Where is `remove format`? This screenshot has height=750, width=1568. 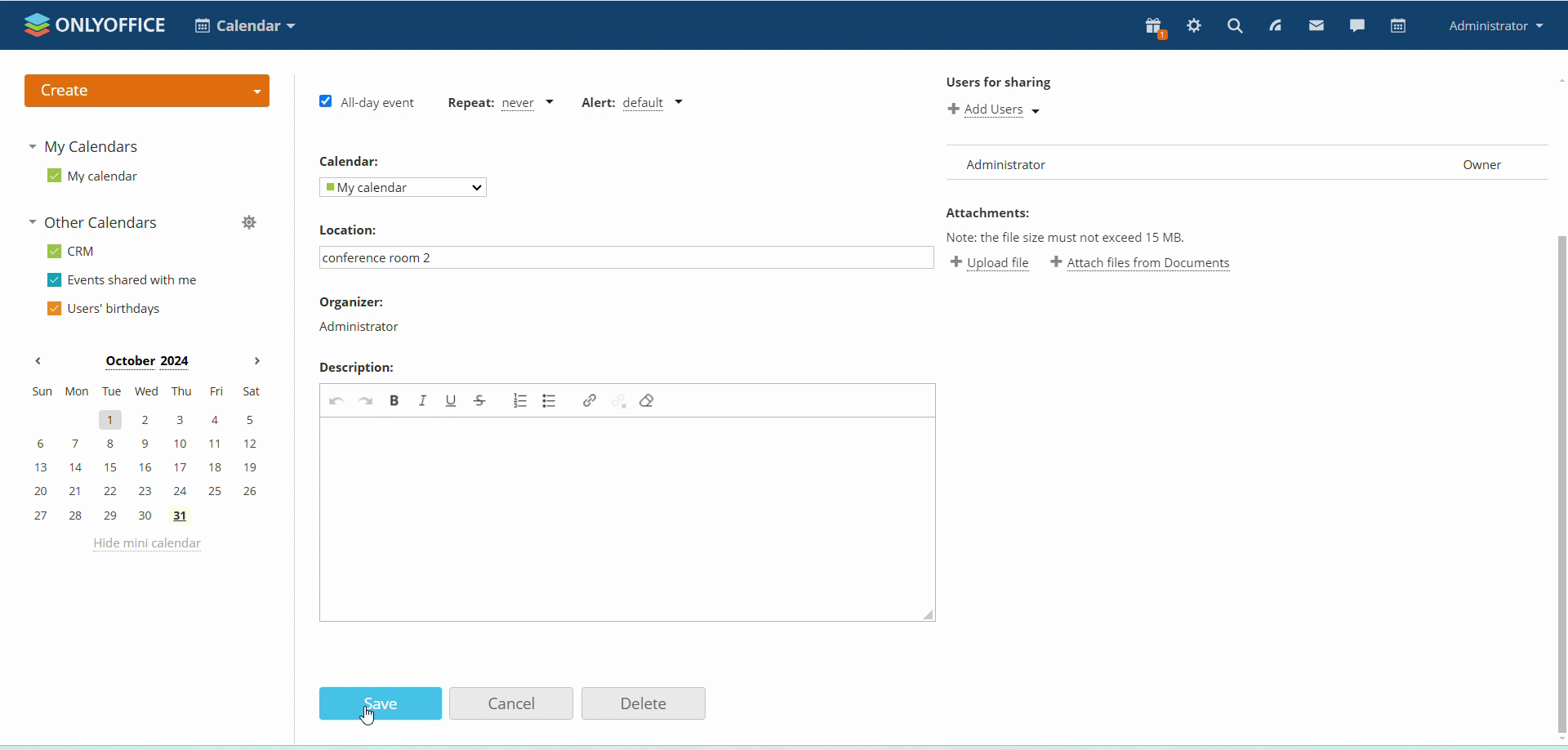
remove format is located at coordinates (647, 401).